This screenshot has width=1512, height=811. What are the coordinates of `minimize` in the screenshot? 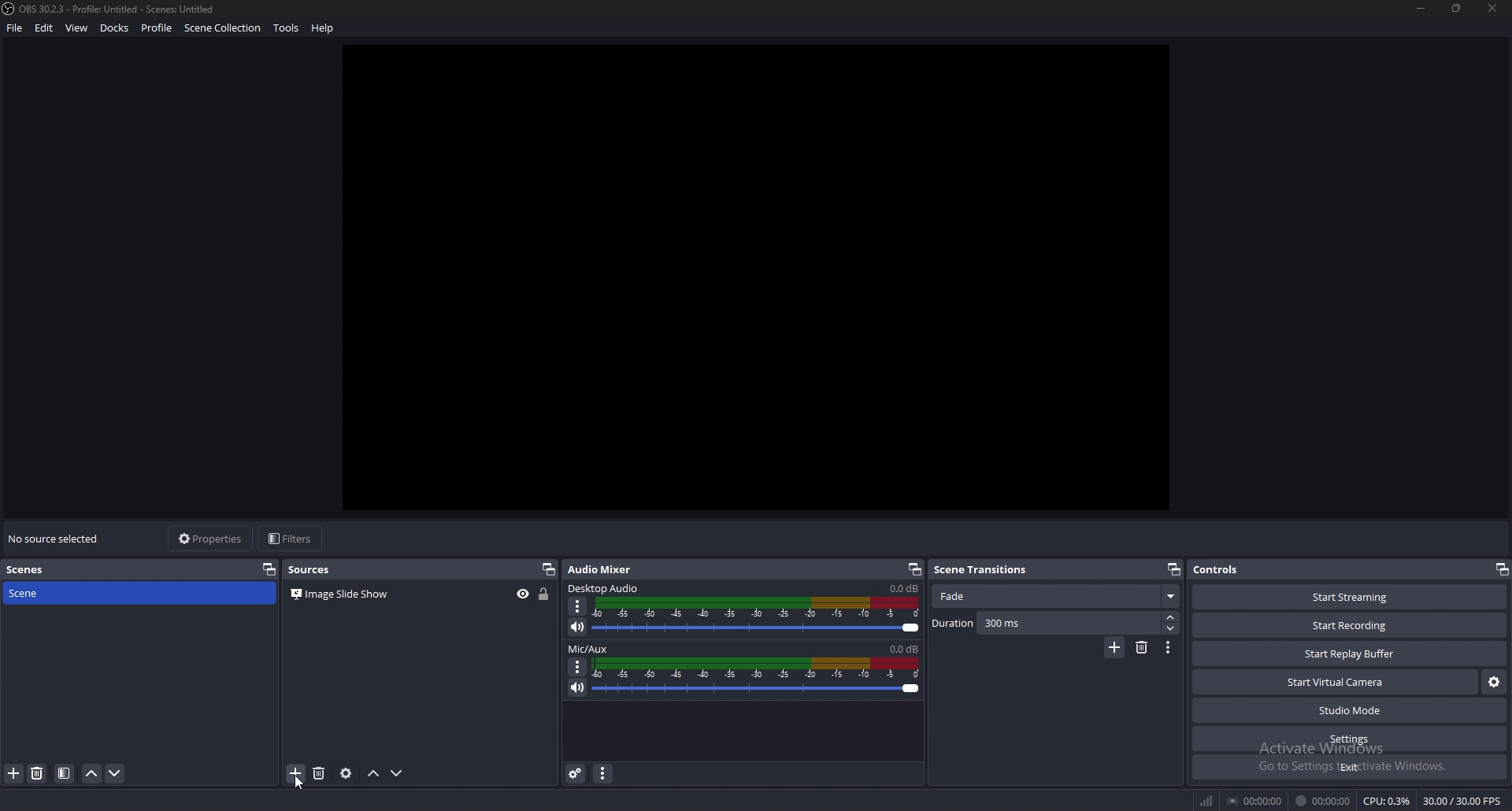 It's located at (1422, 9).